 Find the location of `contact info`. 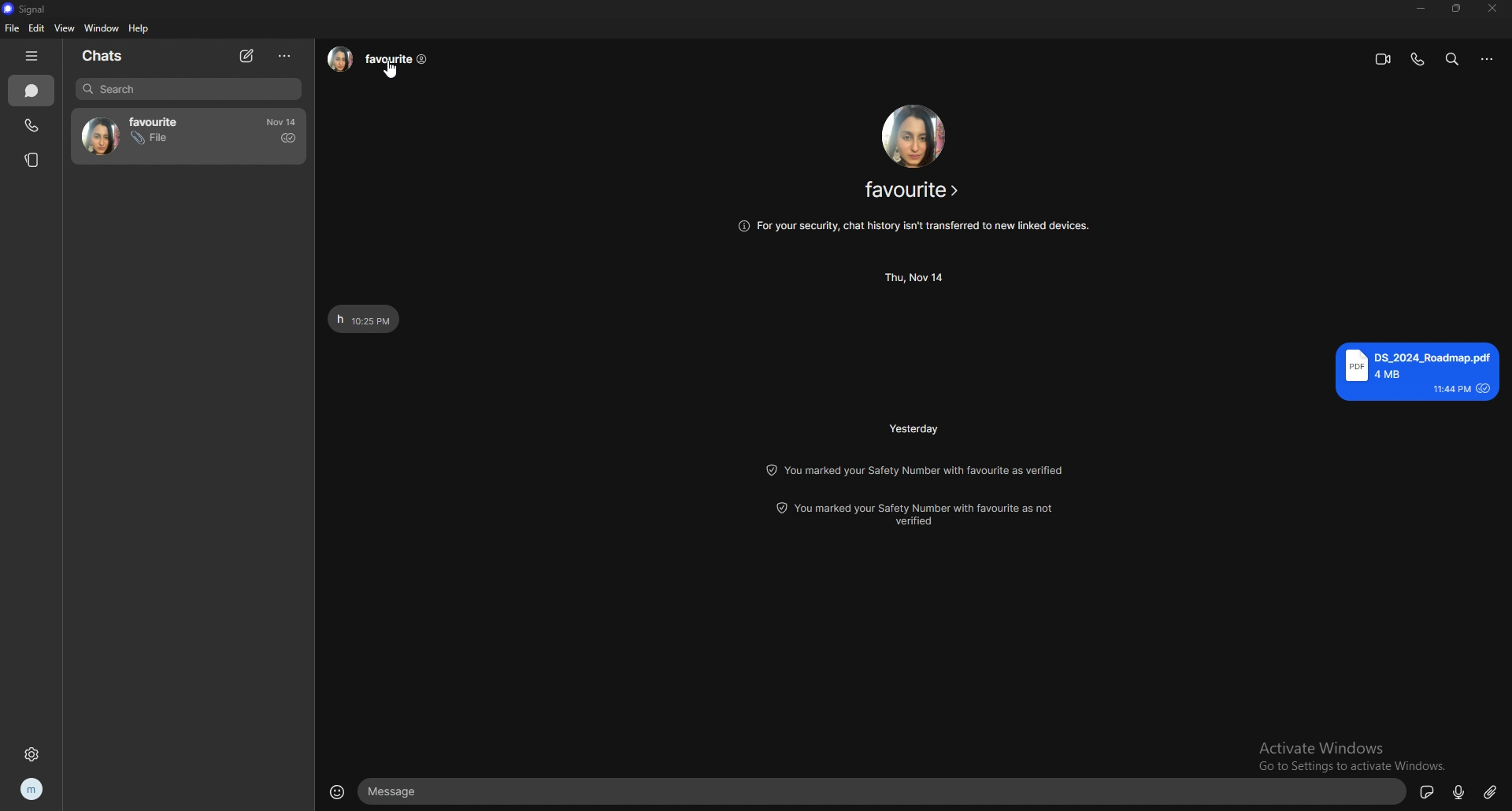

contact info is located at coordinates (913, 192).